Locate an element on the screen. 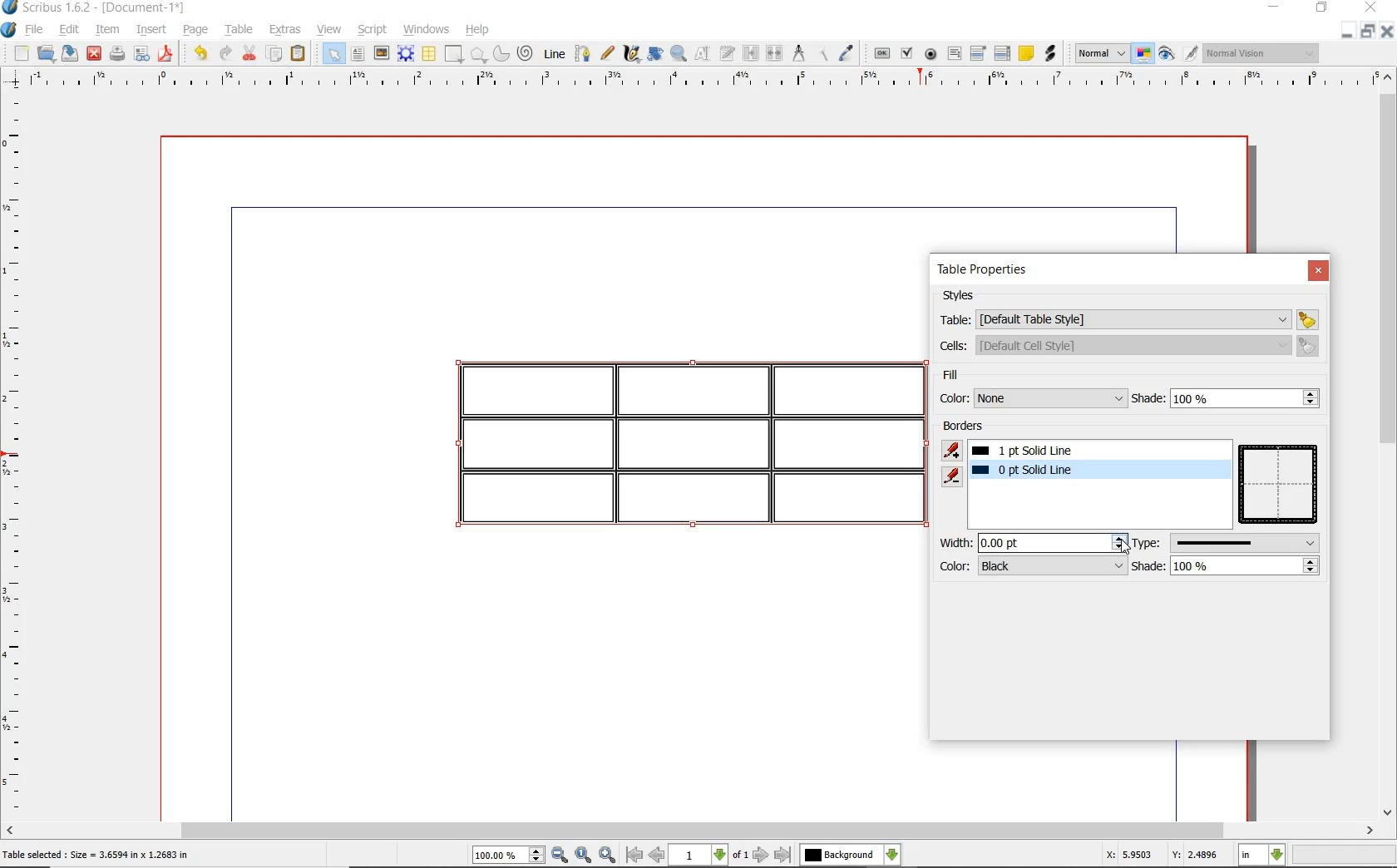  new is located at coordinates (20, 53).